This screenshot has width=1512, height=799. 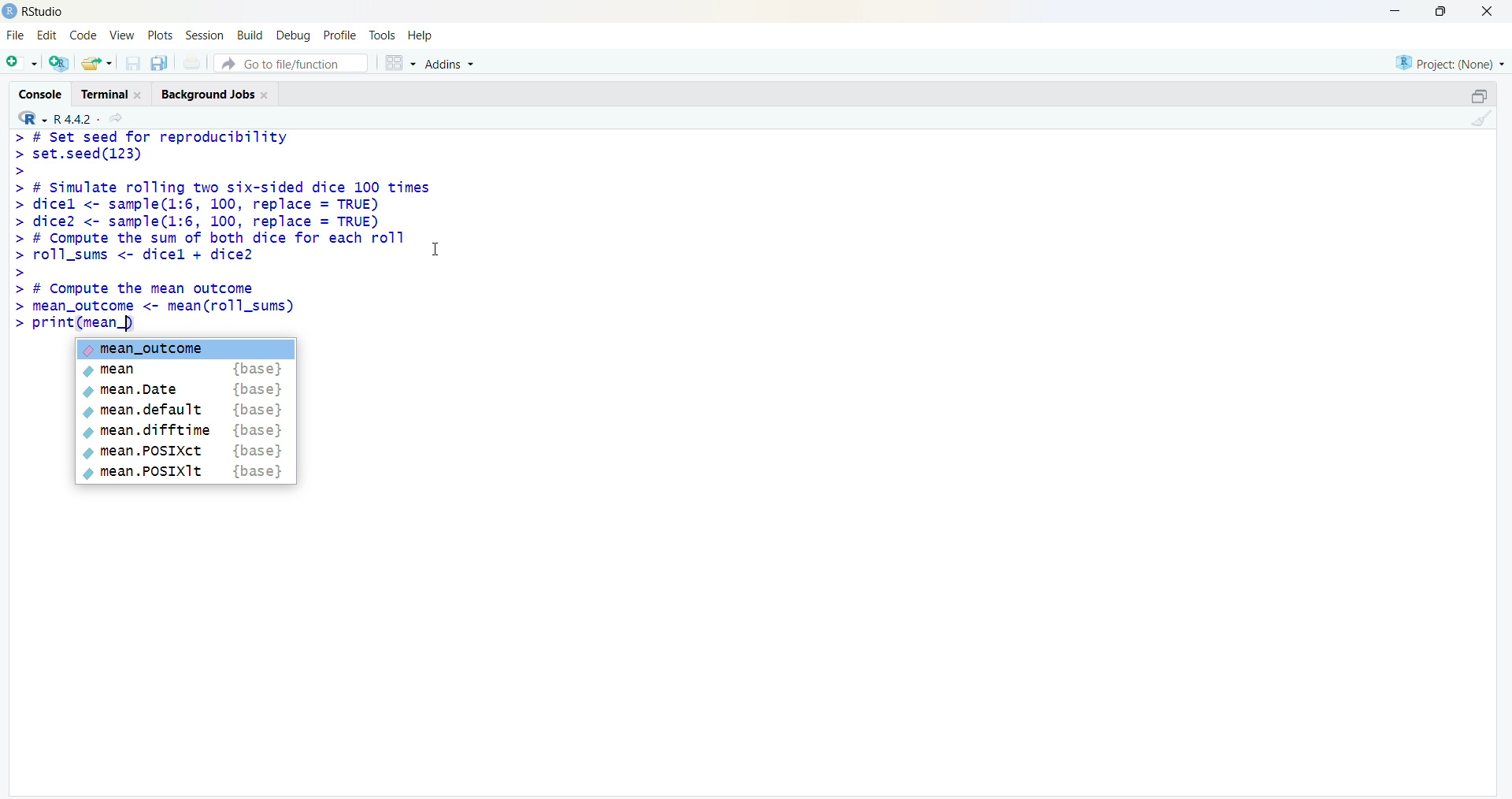 I want to click on mean.Date {base}, so click(x=182, y=390).